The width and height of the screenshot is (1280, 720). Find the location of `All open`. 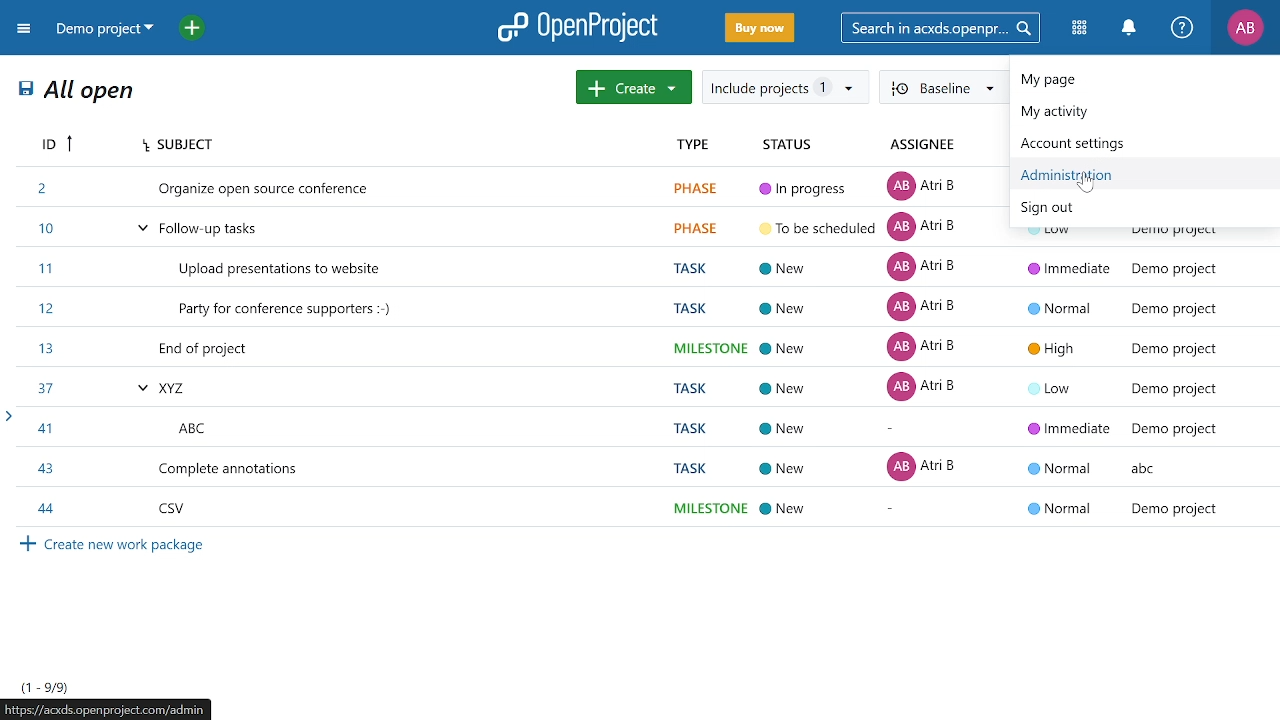

All open is located at coordinates (78, 93).